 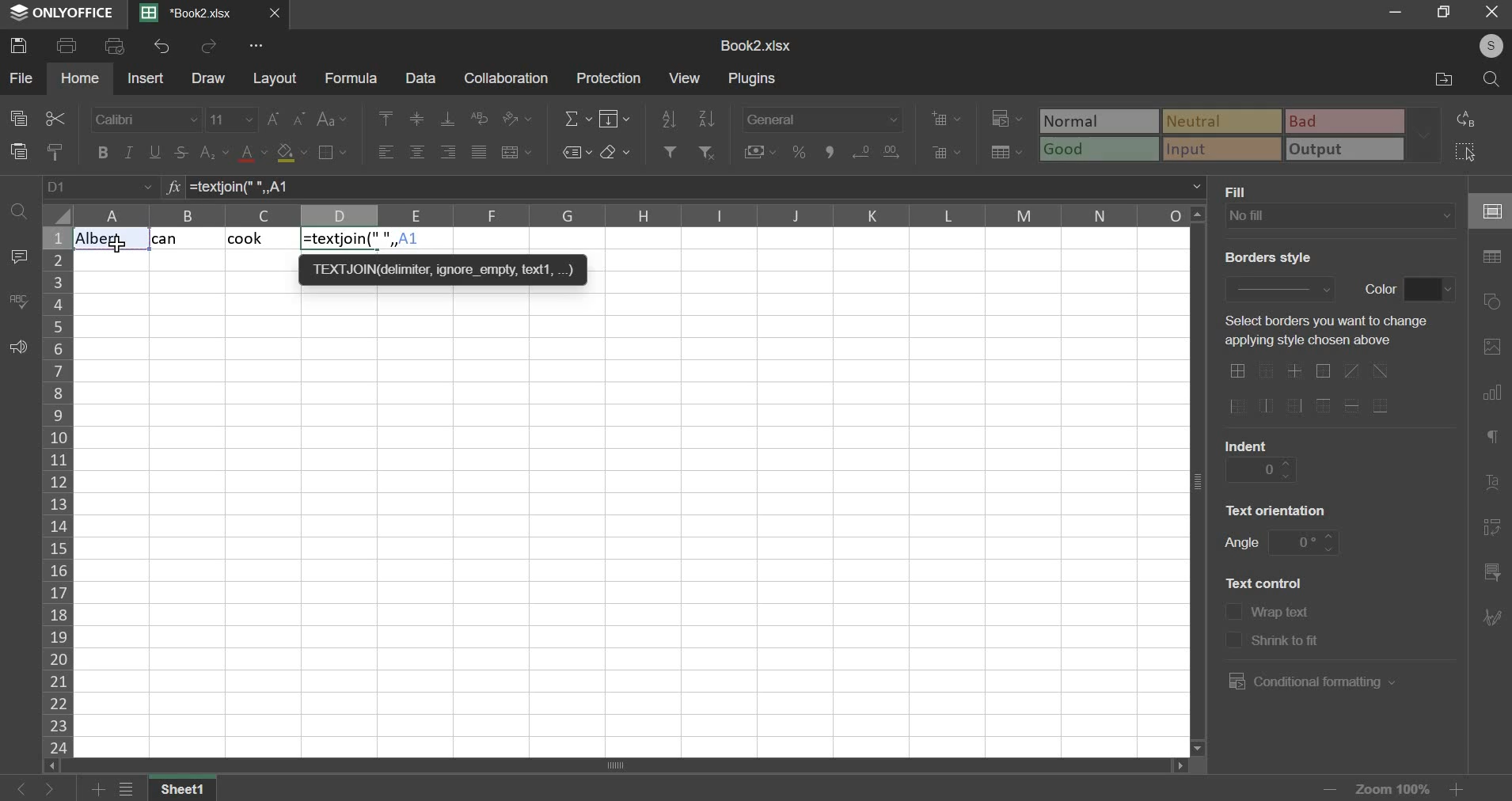 I want to click on subscript & superscript, so click(x=214, y=151).